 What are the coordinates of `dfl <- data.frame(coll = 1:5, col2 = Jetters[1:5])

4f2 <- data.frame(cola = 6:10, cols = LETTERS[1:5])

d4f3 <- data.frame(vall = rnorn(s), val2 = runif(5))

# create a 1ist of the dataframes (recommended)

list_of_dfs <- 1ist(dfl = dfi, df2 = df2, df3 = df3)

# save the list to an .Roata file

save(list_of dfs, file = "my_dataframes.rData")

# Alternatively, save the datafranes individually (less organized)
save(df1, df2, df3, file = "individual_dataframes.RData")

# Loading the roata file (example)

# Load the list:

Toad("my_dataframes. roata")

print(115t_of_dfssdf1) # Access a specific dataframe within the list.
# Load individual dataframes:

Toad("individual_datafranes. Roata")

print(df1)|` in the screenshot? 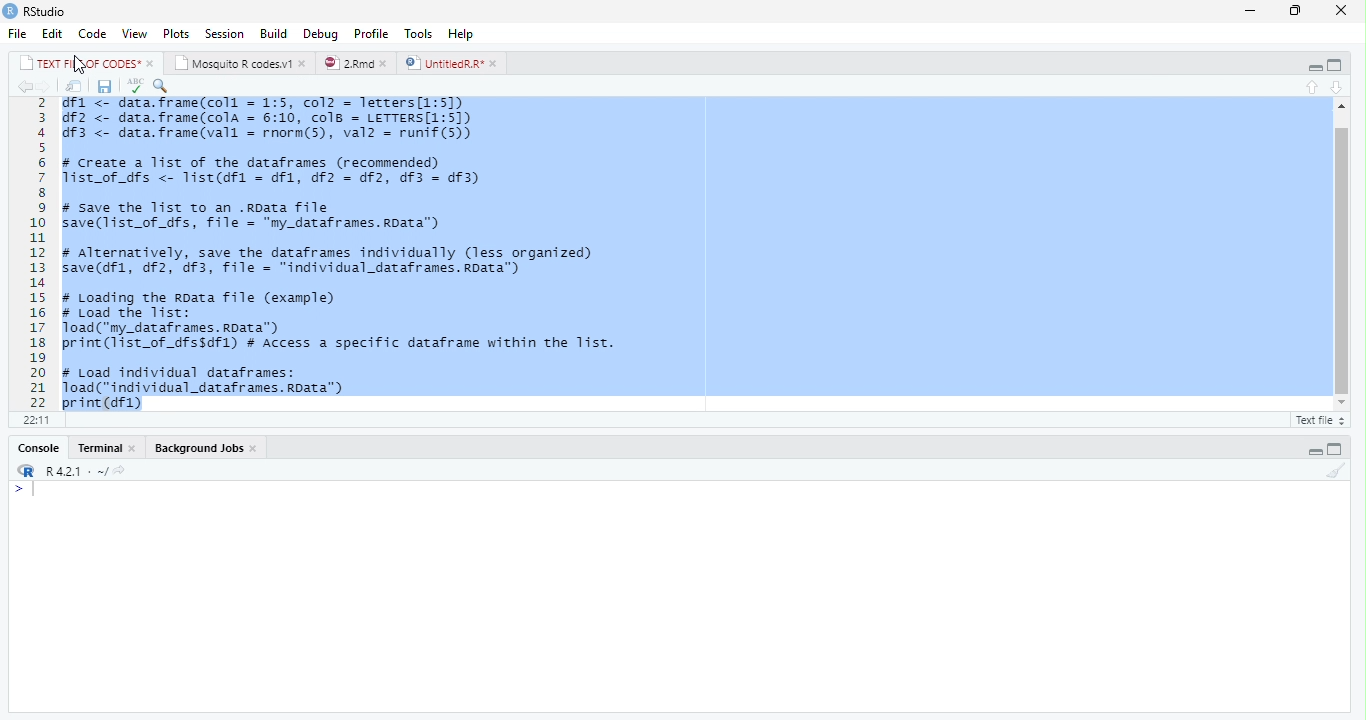 It's located at (355, 253).